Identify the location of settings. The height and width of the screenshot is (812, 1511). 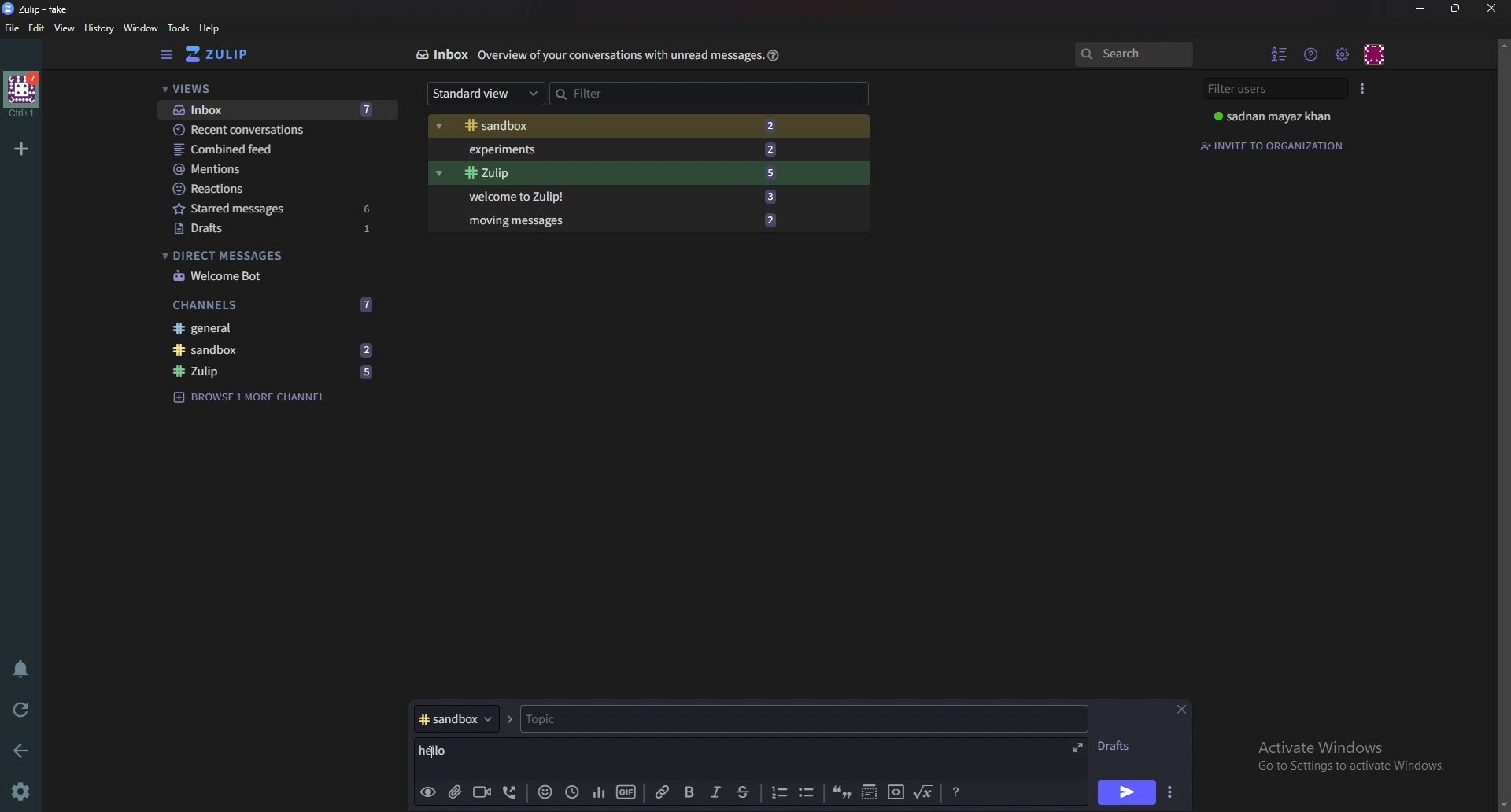
(23, 792).